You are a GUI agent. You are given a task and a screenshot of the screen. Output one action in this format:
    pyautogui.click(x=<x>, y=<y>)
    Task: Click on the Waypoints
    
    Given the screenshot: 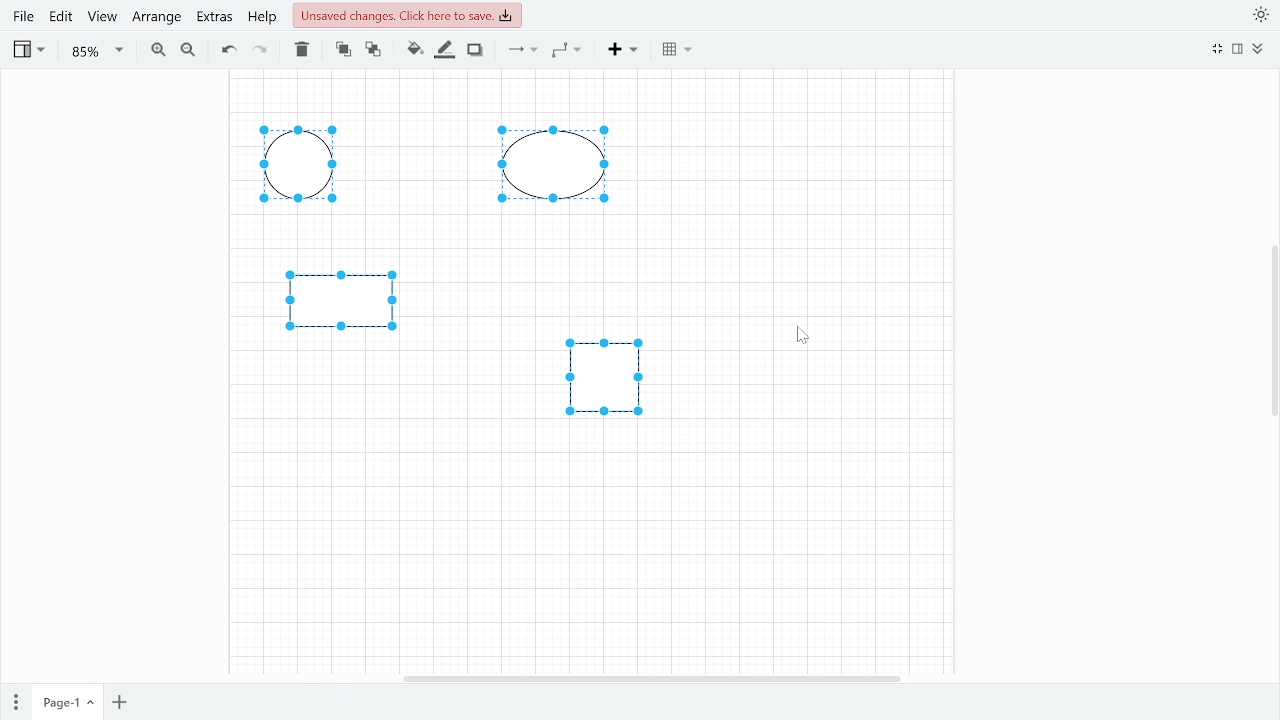 What is the action you would take?
    pyautogui.click(x=566, y=50)
    